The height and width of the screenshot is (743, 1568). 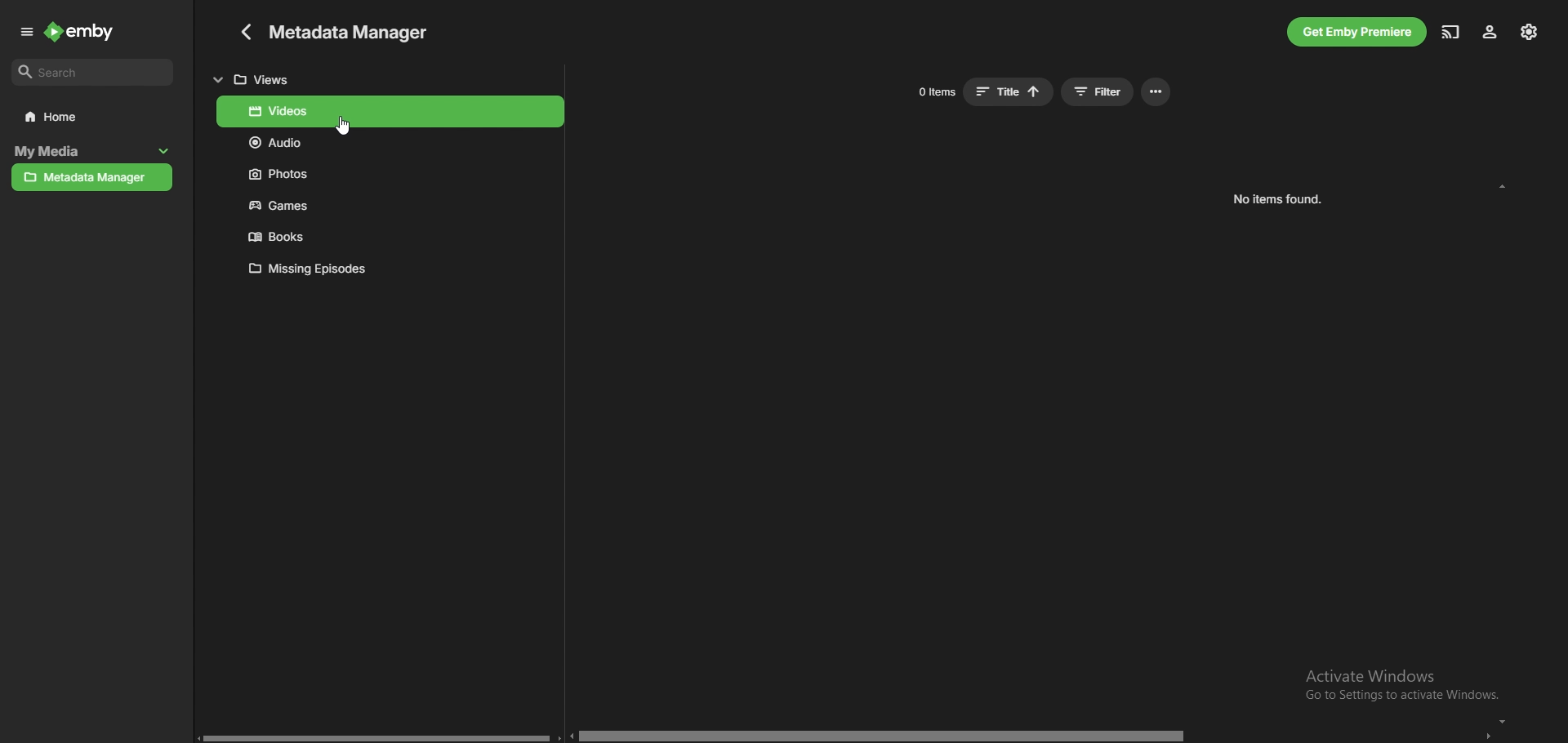 What do you see at coordinates (81, 31) in the screenshot?
I see `emby` at bounding box center [81, 31].